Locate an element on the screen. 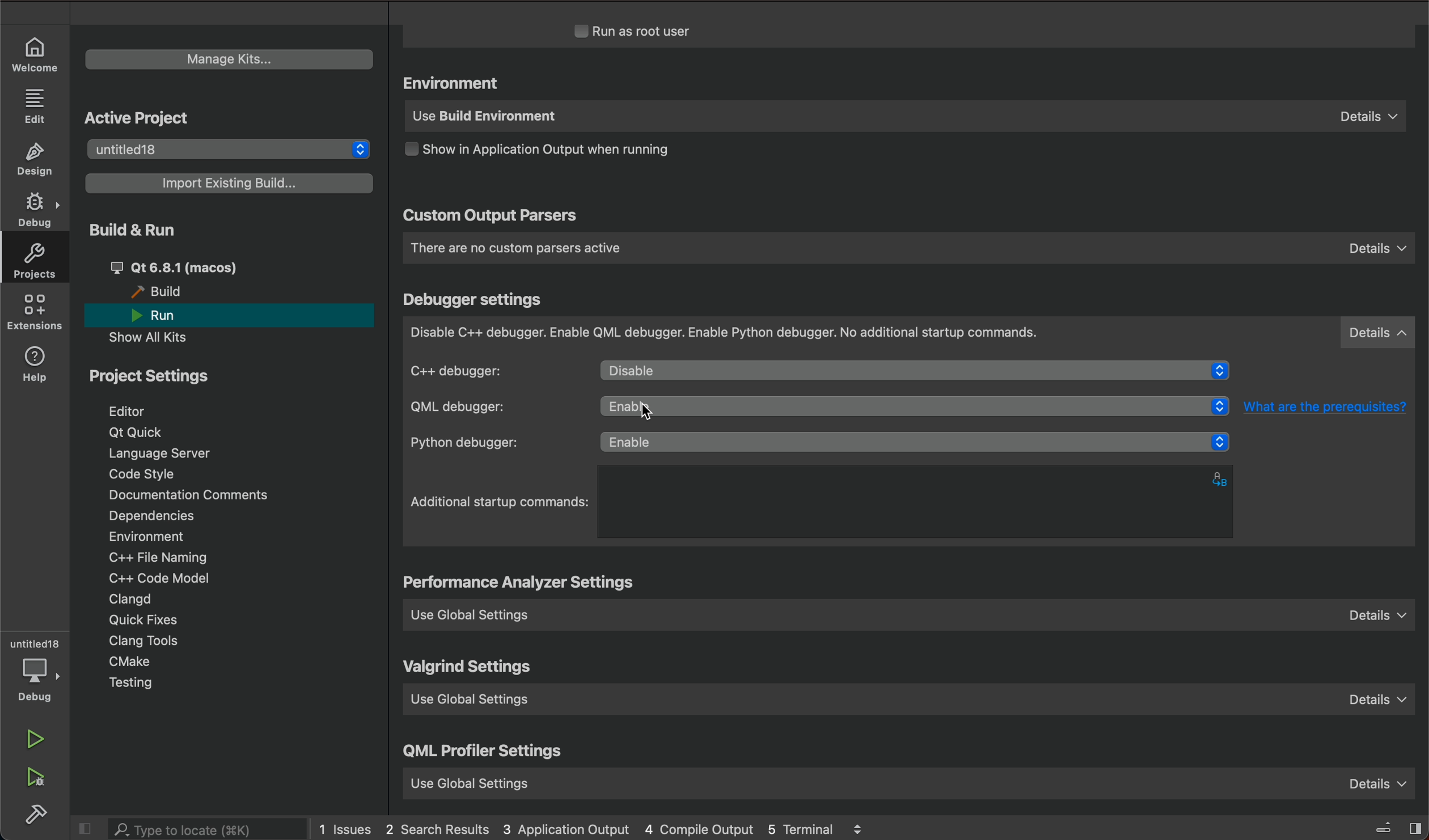  language is located at coordinates (169, 453).